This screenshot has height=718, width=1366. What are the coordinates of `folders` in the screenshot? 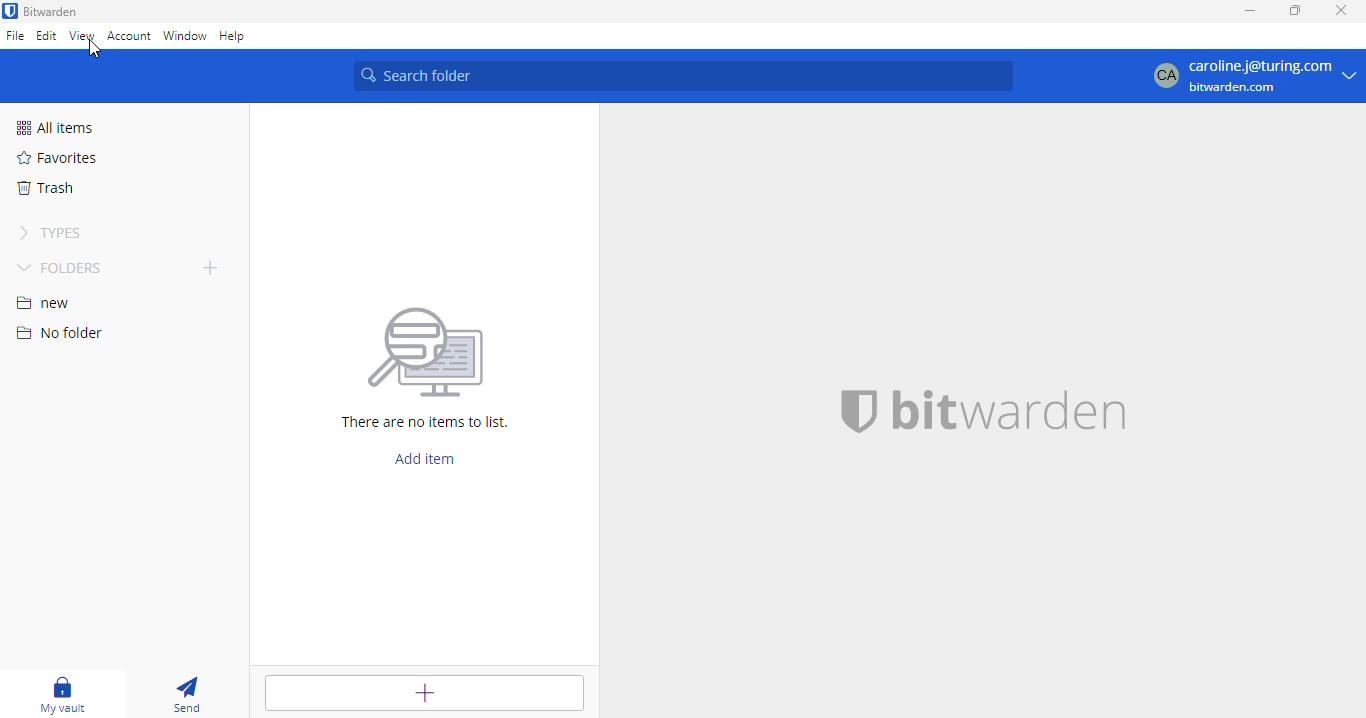 It's located at (60, 268).